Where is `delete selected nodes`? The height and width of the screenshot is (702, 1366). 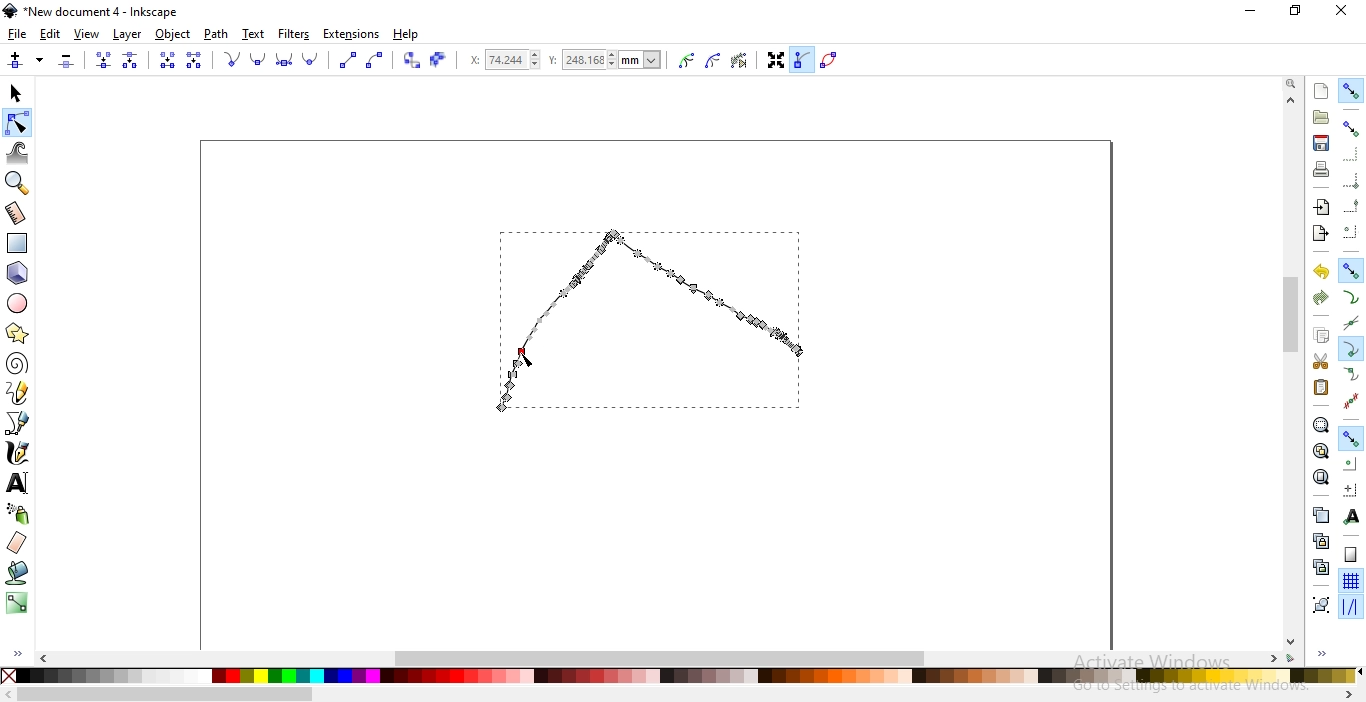 delete selected nodes is located at coordinates (67, 61).